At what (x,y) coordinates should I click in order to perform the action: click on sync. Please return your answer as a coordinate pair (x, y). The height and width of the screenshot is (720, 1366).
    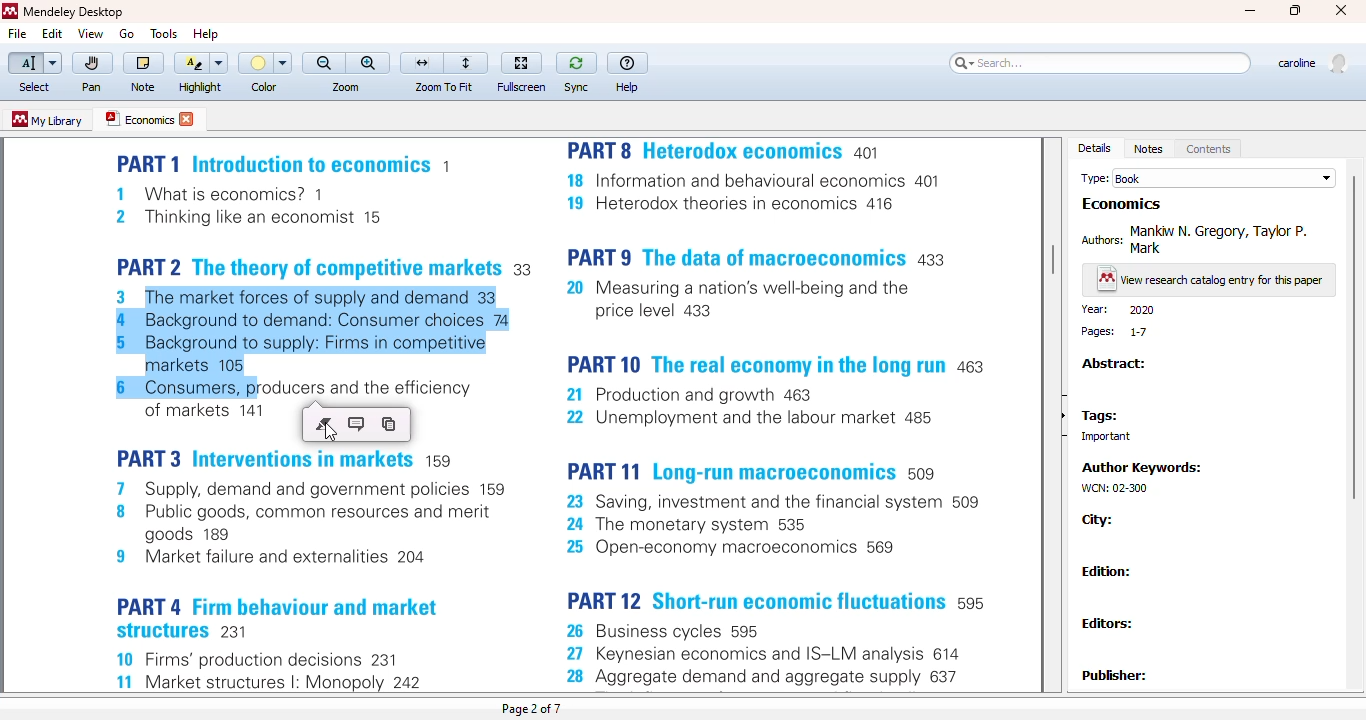
    Looking at the image, I should click on (577, 64).